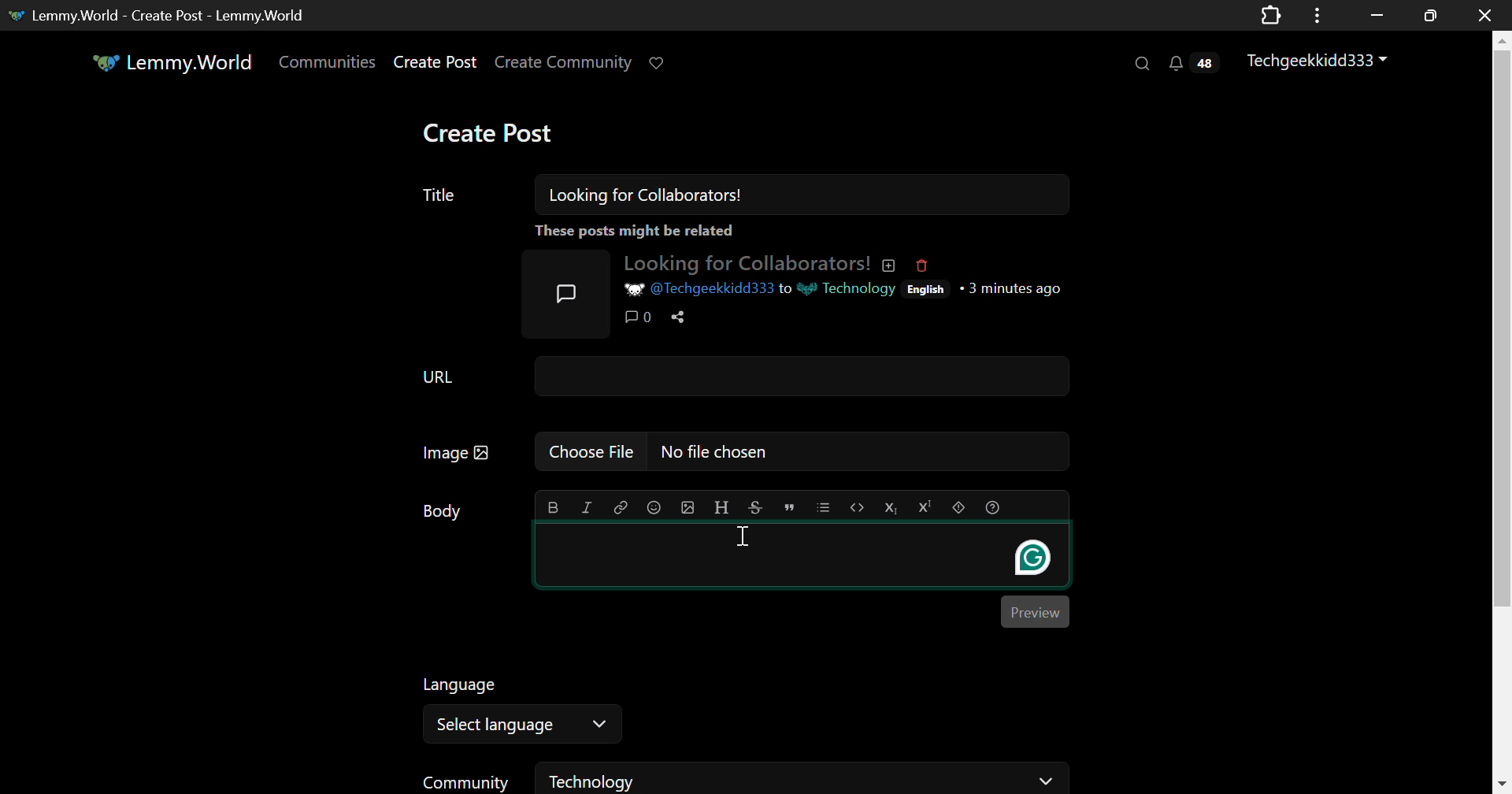 This screenshot has width=1512, height=794. I want to click on Body, so click(445, 520).